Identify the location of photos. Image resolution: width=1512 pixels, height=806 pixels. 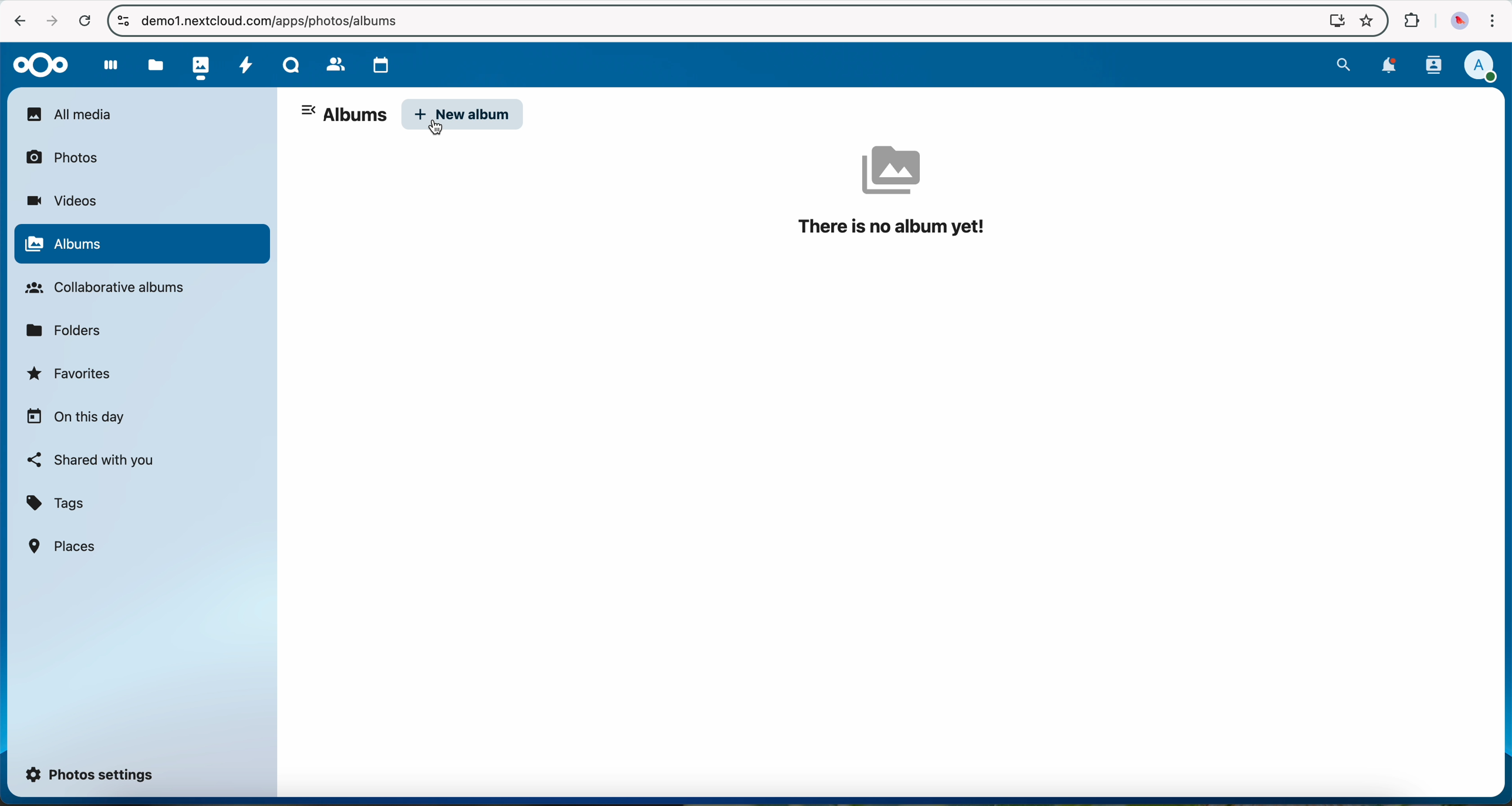
(69, 156).